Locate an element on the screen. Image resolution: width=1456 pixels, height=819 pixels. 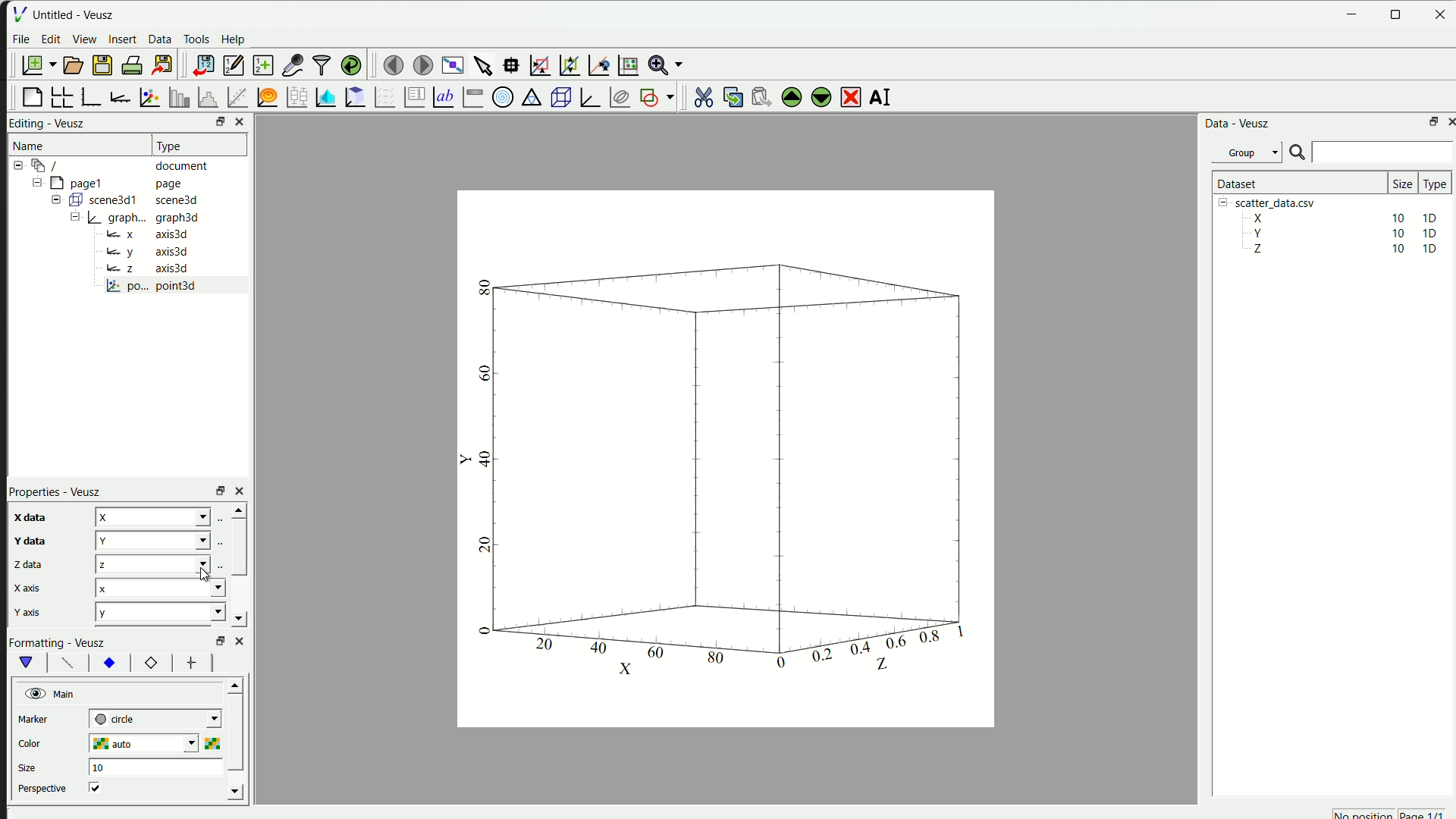
= ( scene3d1  scene3d is located at coordinates (128, 199).